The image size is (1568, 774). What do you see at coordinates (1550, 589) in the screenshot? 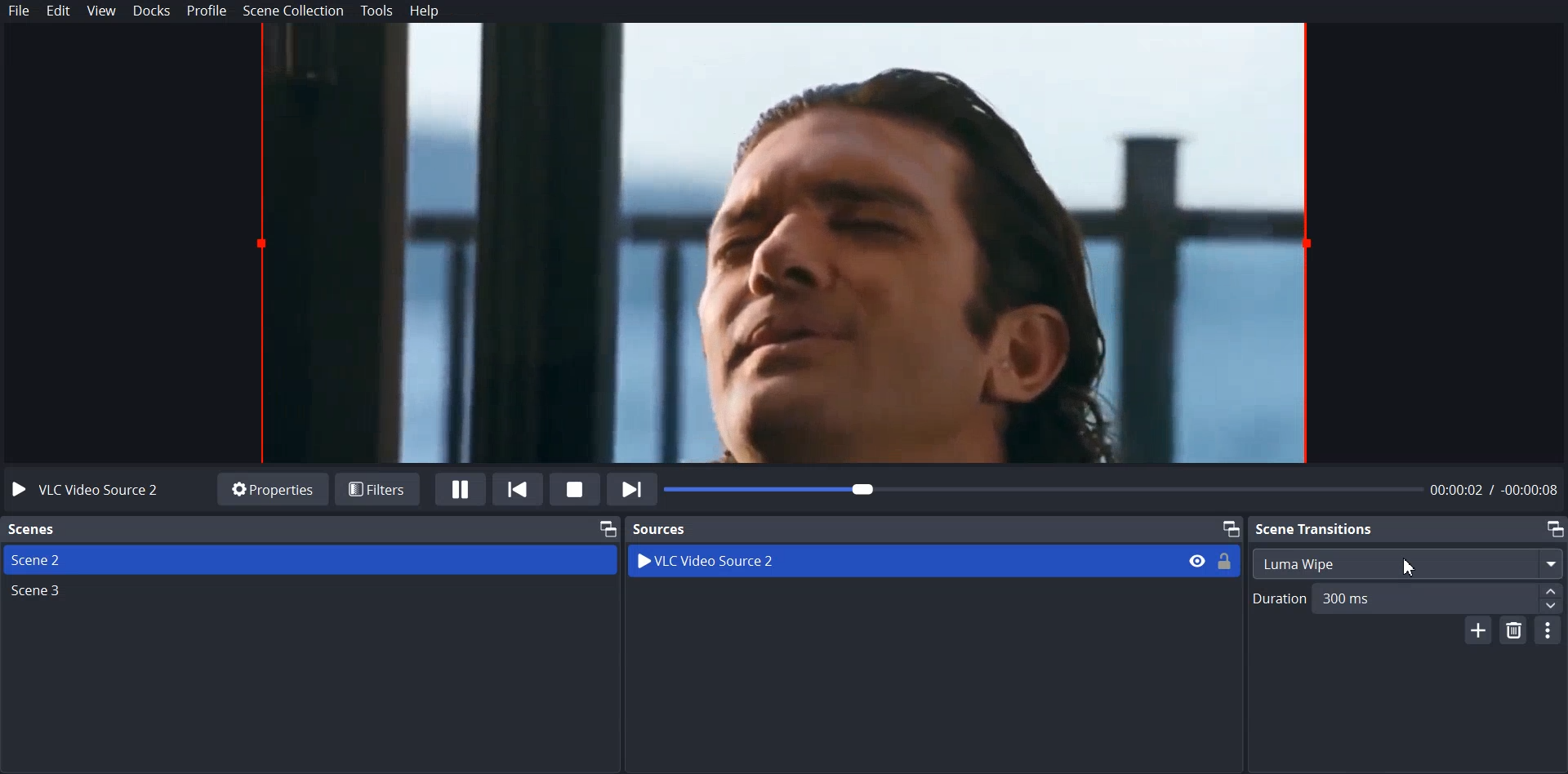
I see `Up` at bounding box center [1550, 589].